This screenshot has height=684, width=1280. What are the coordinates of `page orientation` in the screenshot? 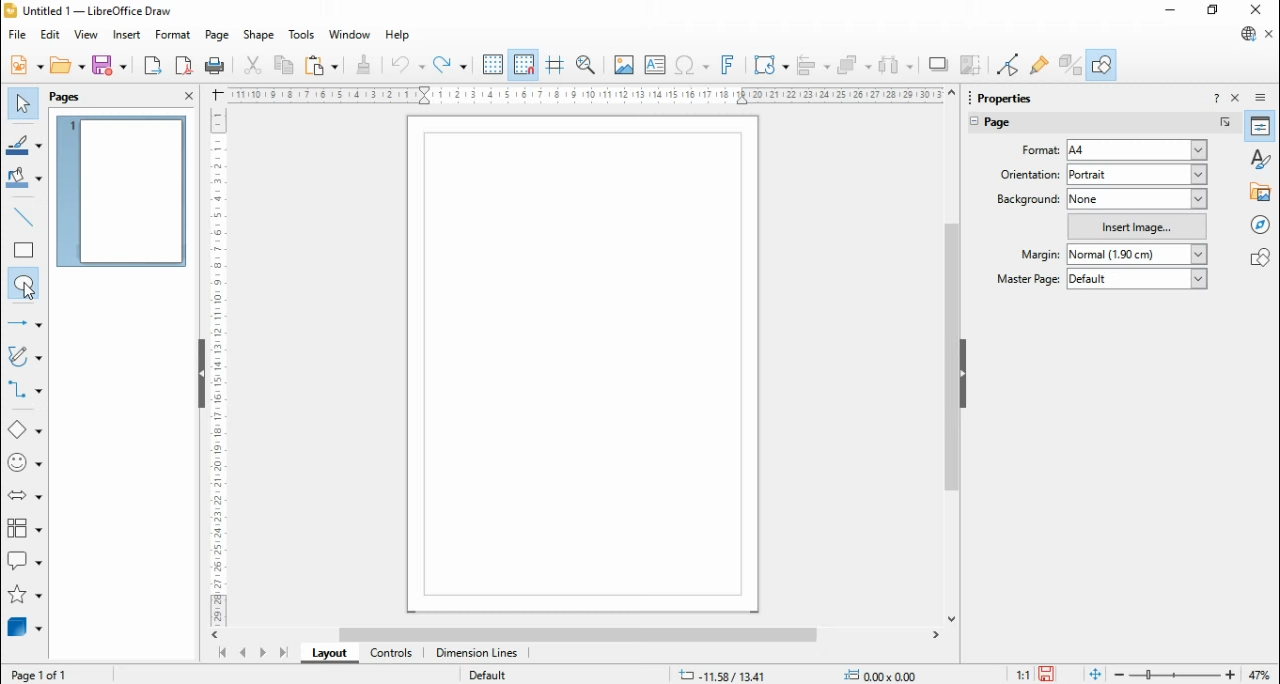 It's located at (1028, 173).